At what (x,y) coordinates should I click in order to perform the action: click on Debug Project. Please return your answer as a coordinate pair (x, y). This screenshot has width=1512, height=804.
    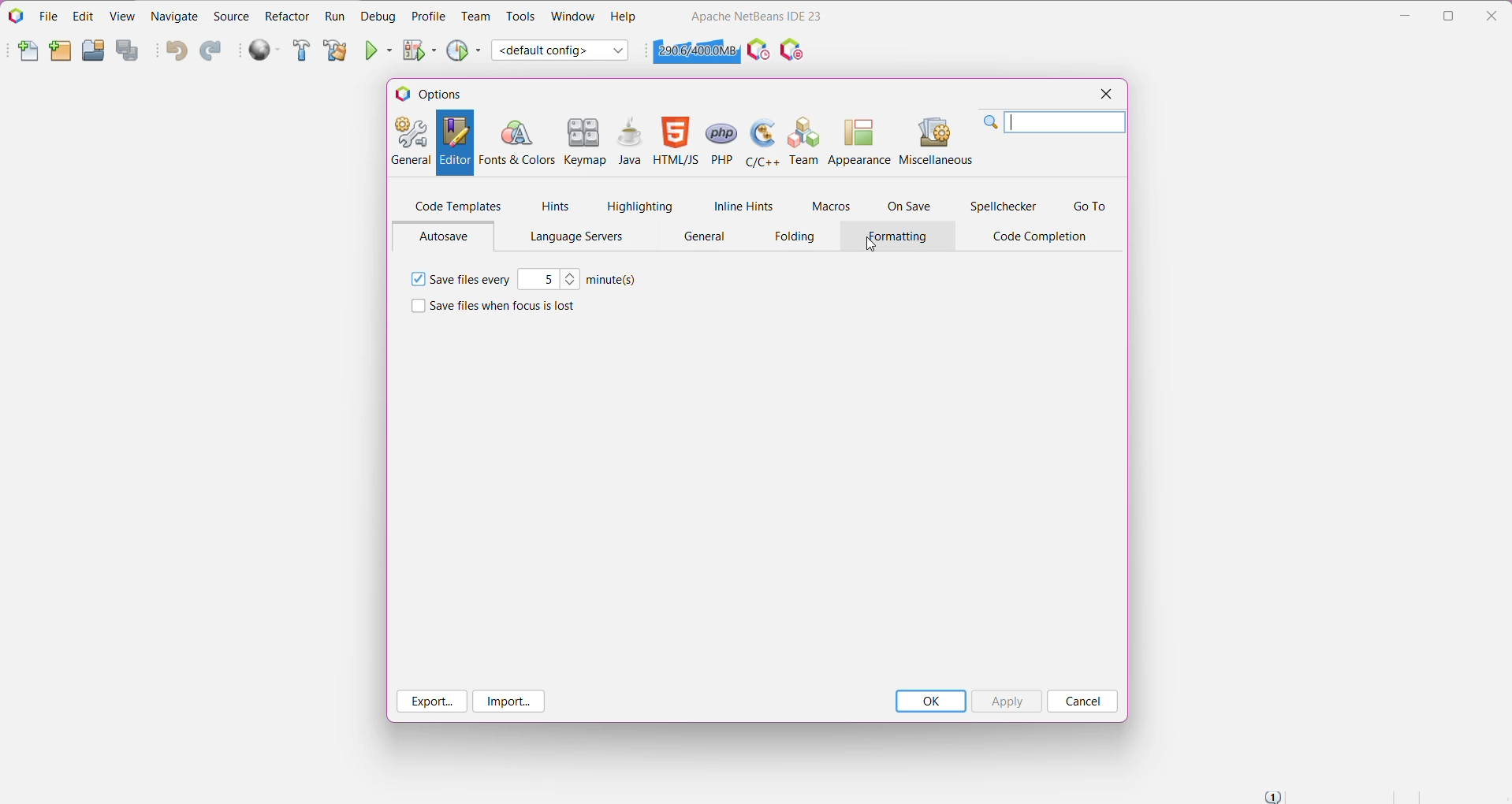
    Looking at the image, I should click on (420, 50).